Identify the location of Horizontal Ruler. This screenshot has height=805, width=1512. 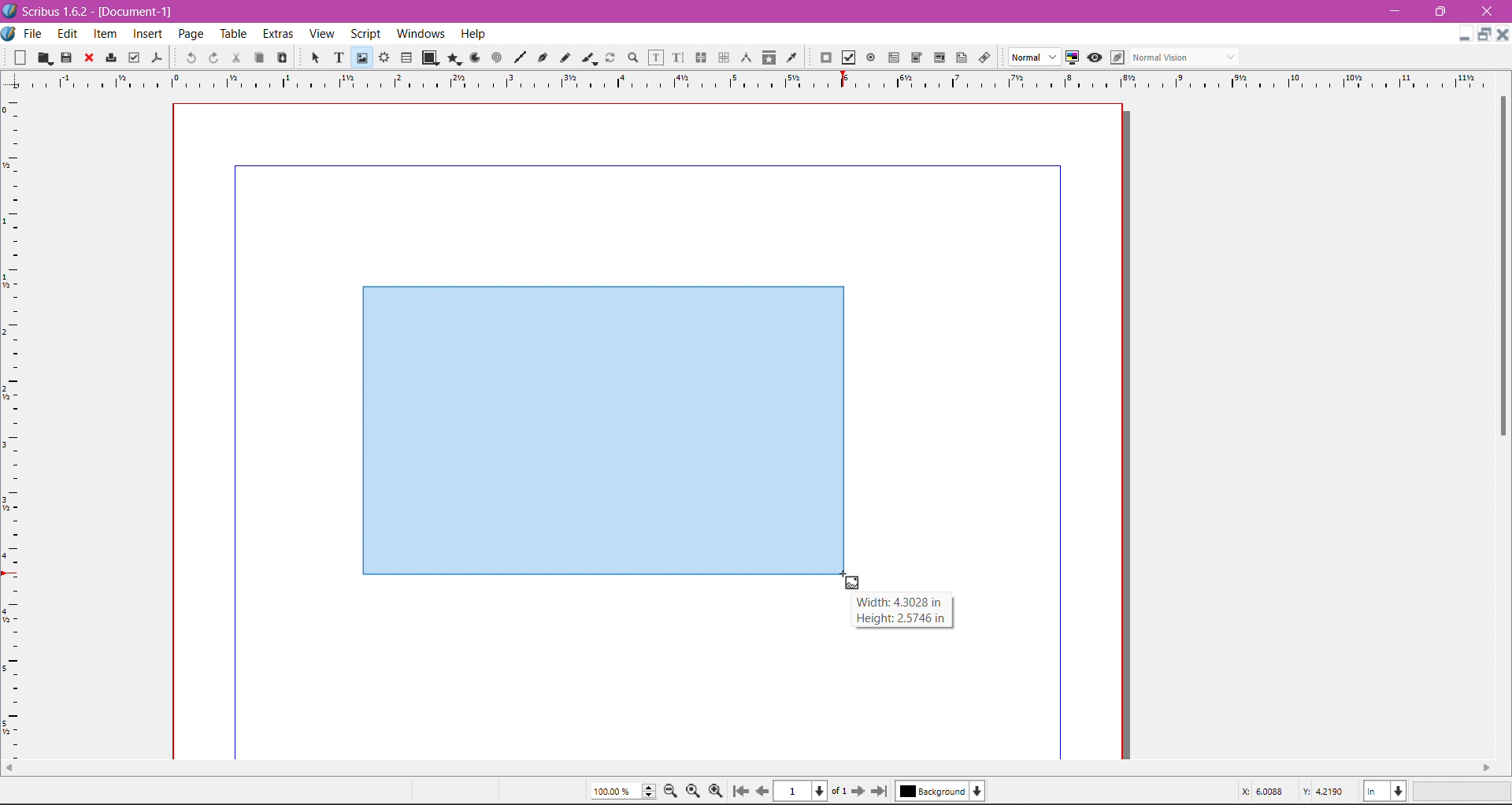
(757, 80).